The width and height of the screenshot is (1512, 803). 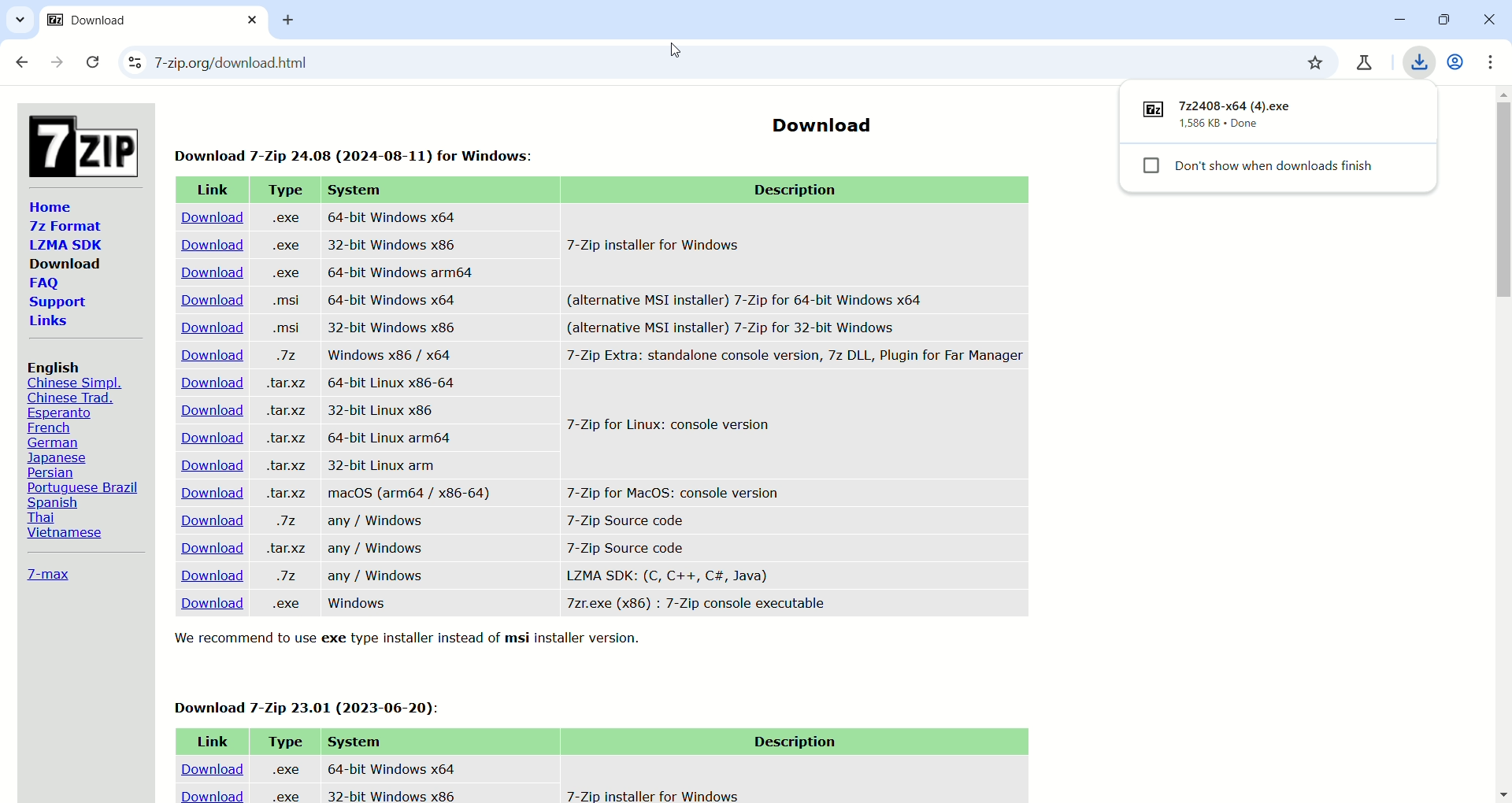 I want to click on .tar.xz, so click(x=285, y=550).